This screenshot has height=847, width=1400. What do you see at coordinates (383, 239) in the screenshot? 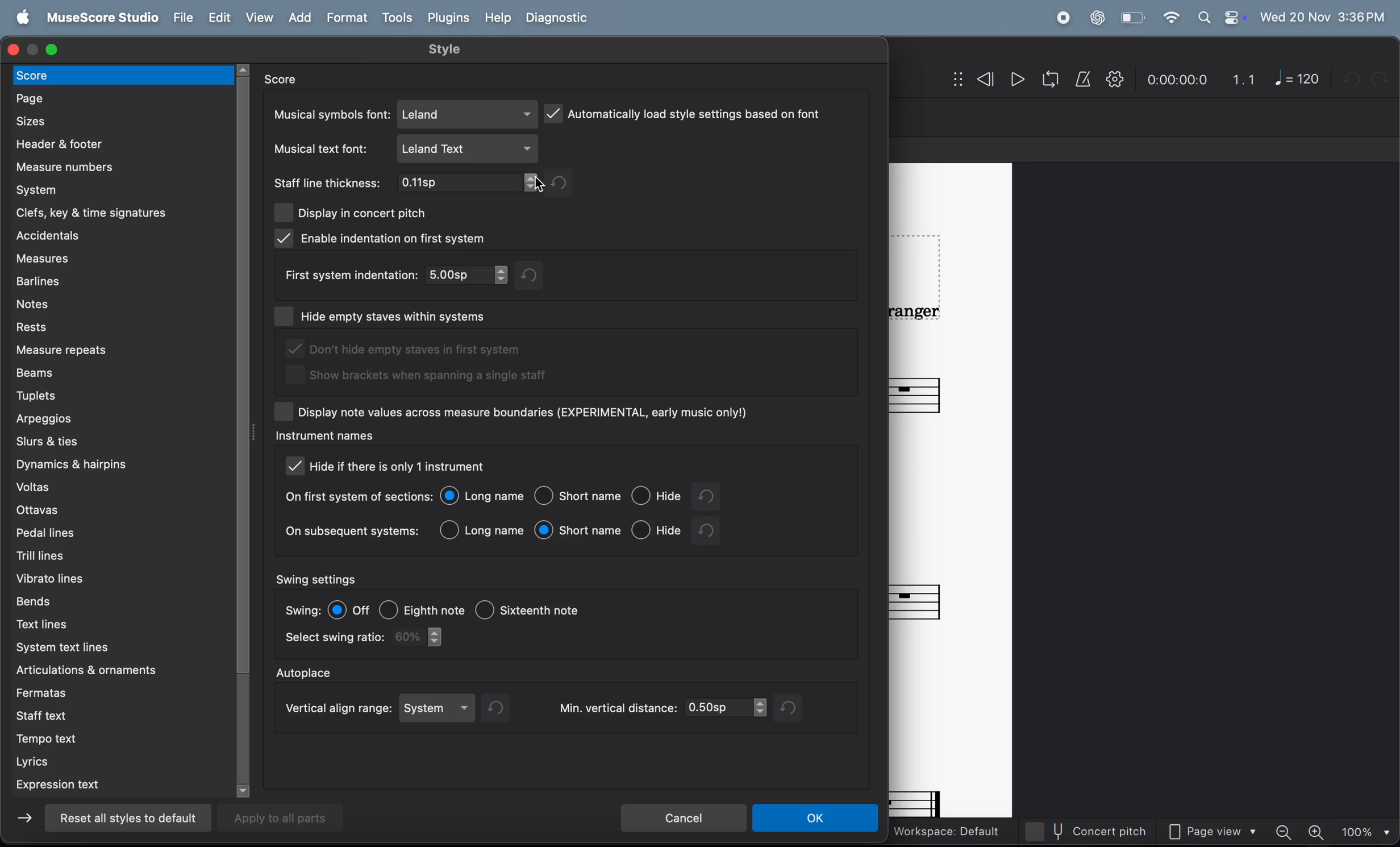
I see `enable indentation on first system` at bounding box center [383, 239].